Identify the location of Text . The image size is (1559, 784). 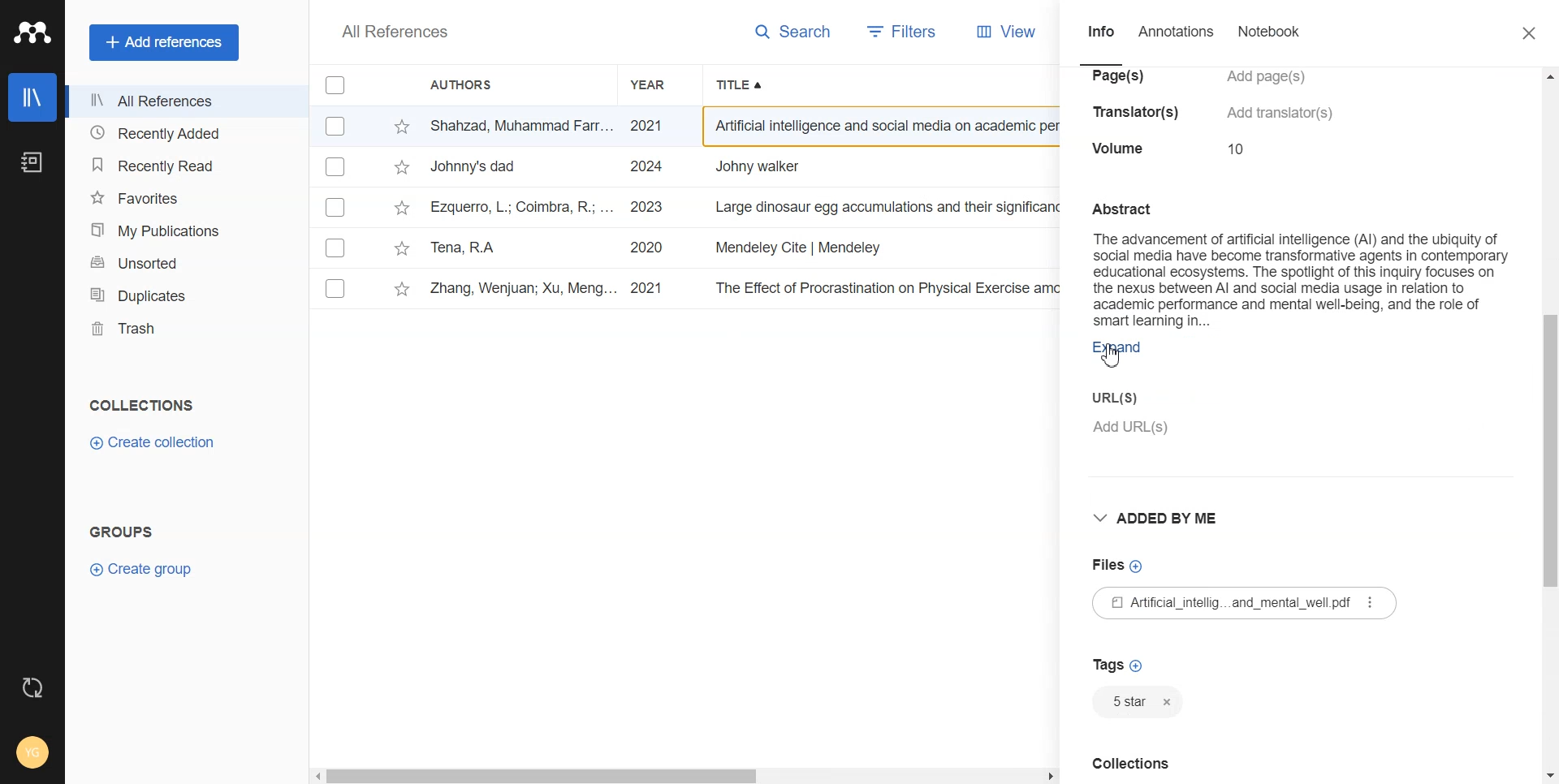
(141, 404).